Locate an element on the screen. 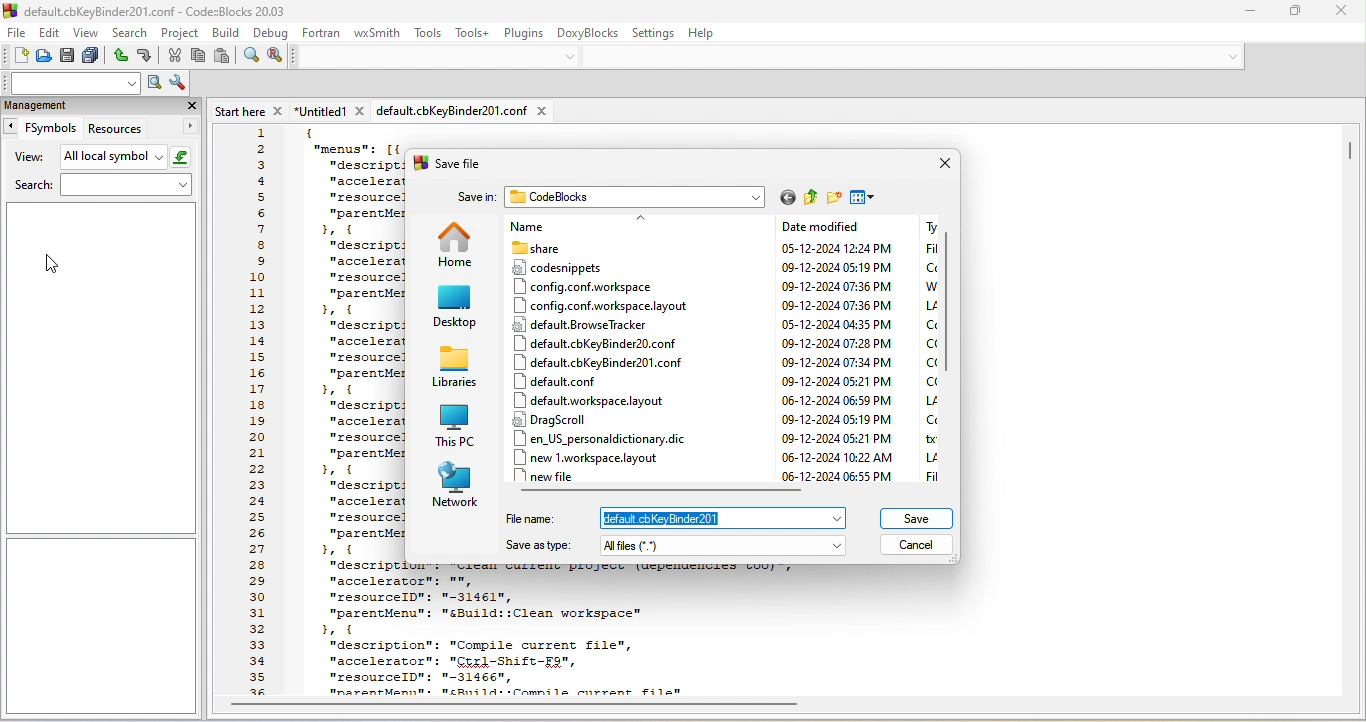 The width and height of the screenshot is (1366, 722). save is located at coordinates (68, 56).